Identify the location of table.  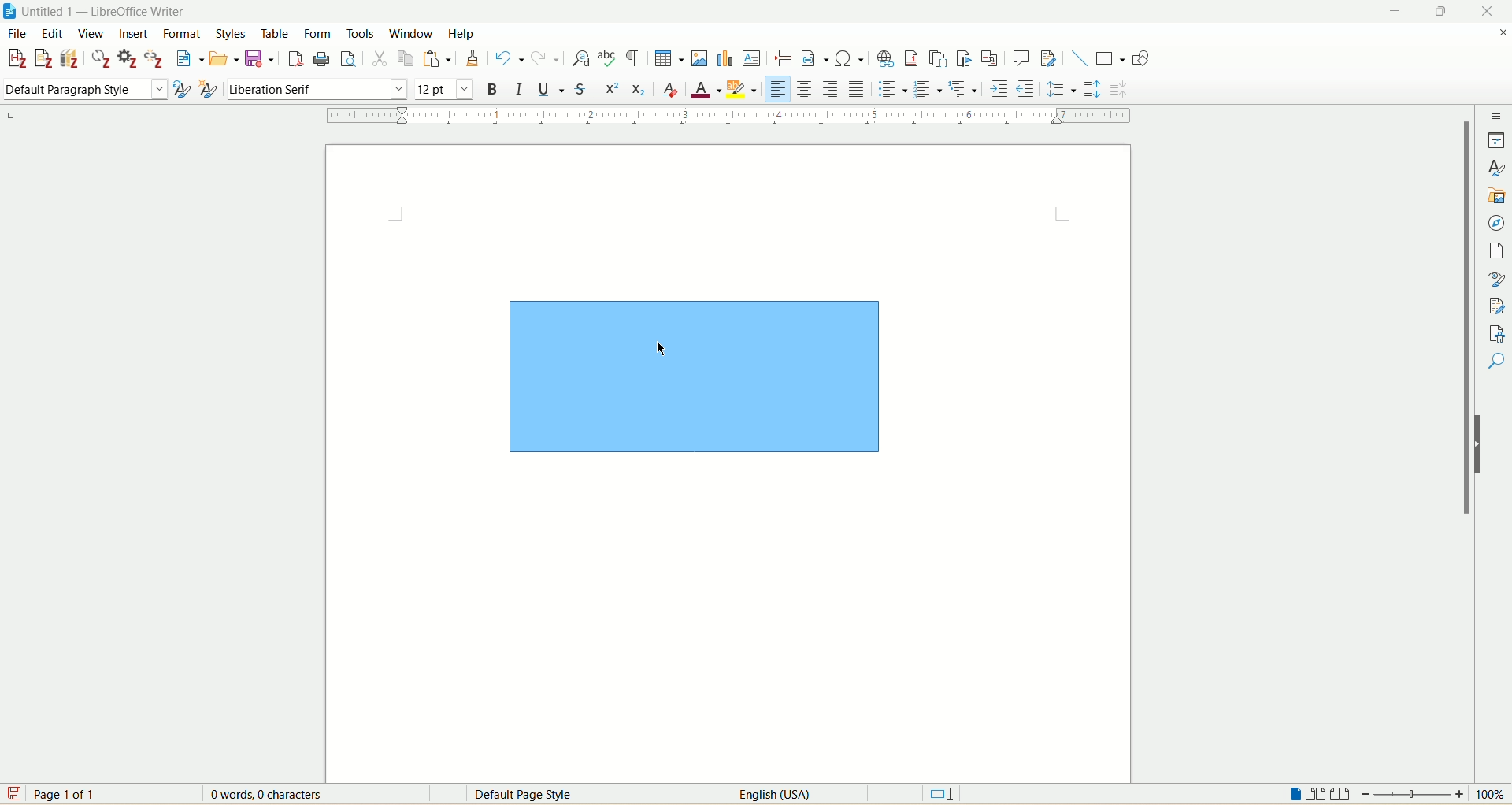
(276, 32).